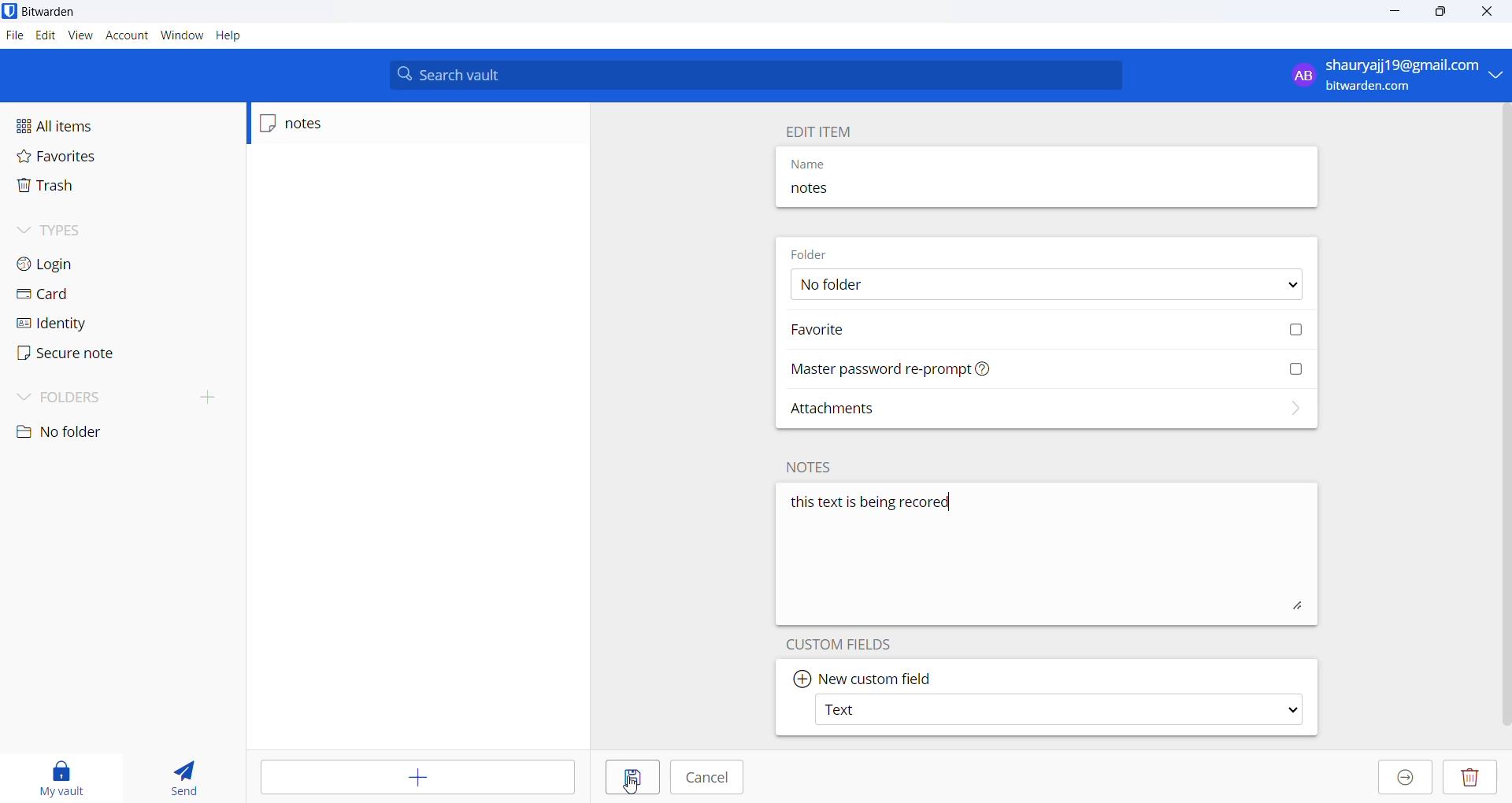 This screenshot has width=1512, height=803. I want to click on add, so click(420, 778).